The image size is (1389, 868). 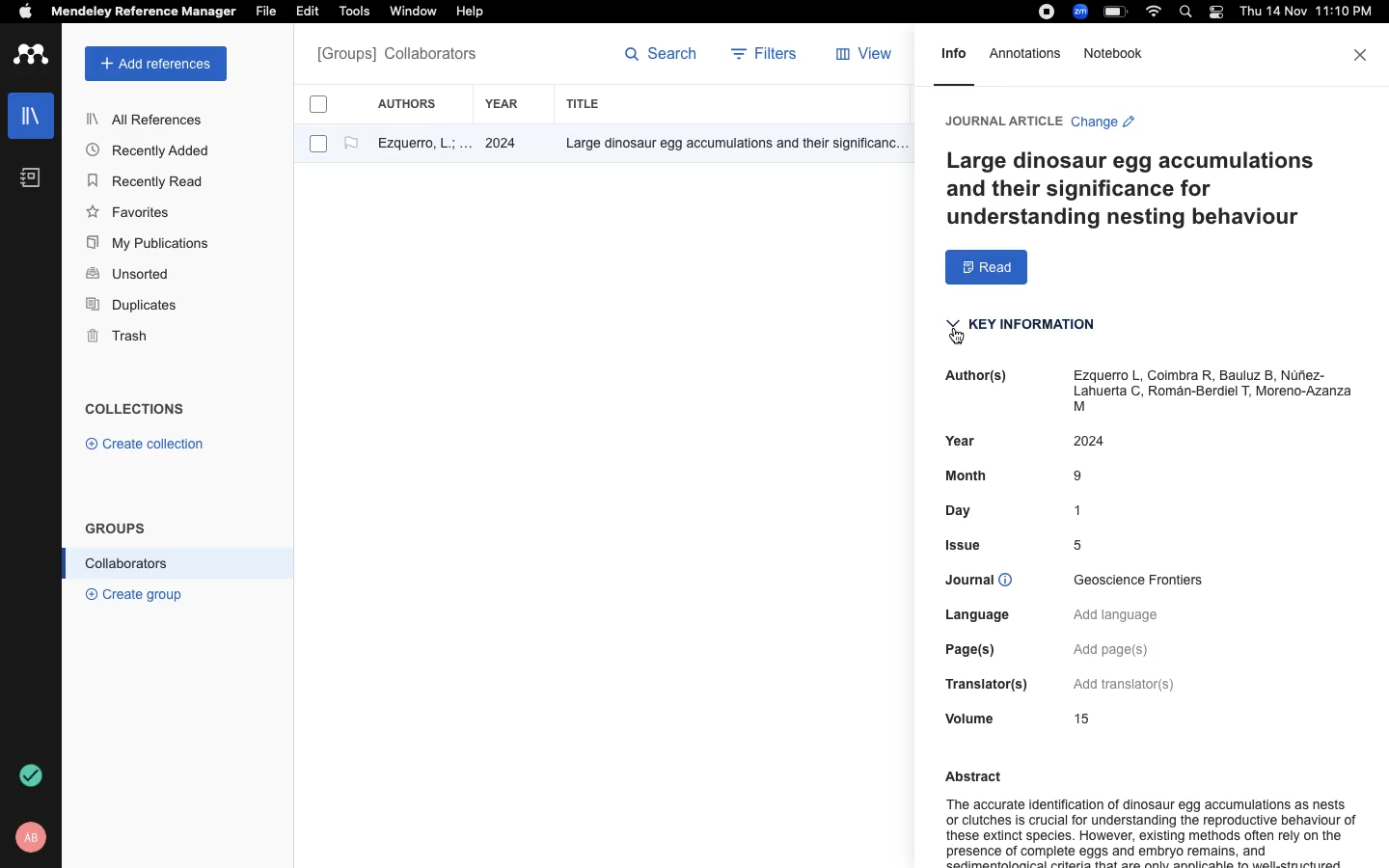 What do you see at coordinates (662, 58) in the screenshot?
I see `search` at bounding box center [662, 58].